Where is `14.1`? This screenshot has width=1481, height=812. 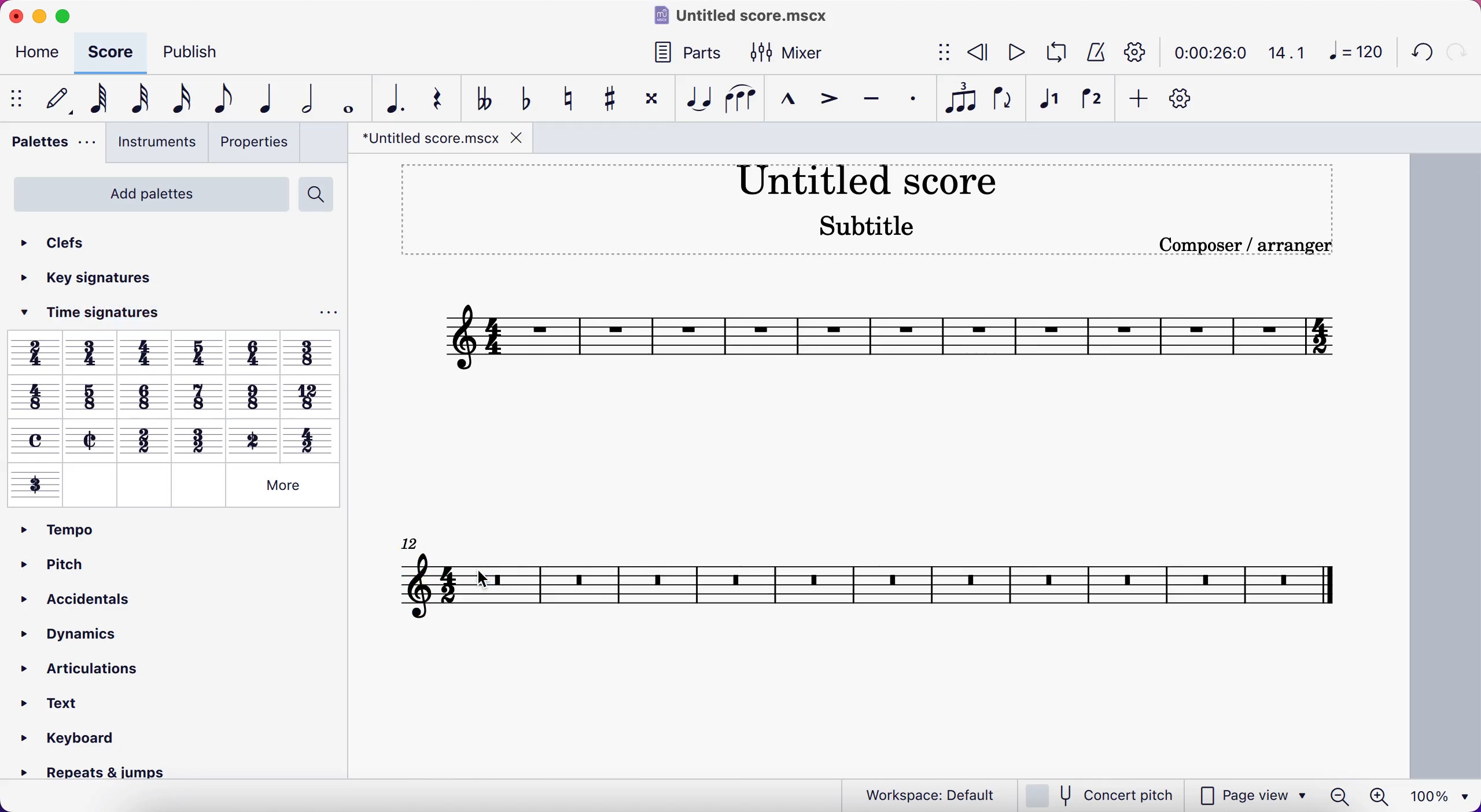 14.1 is located at coordinates (1281, 53).